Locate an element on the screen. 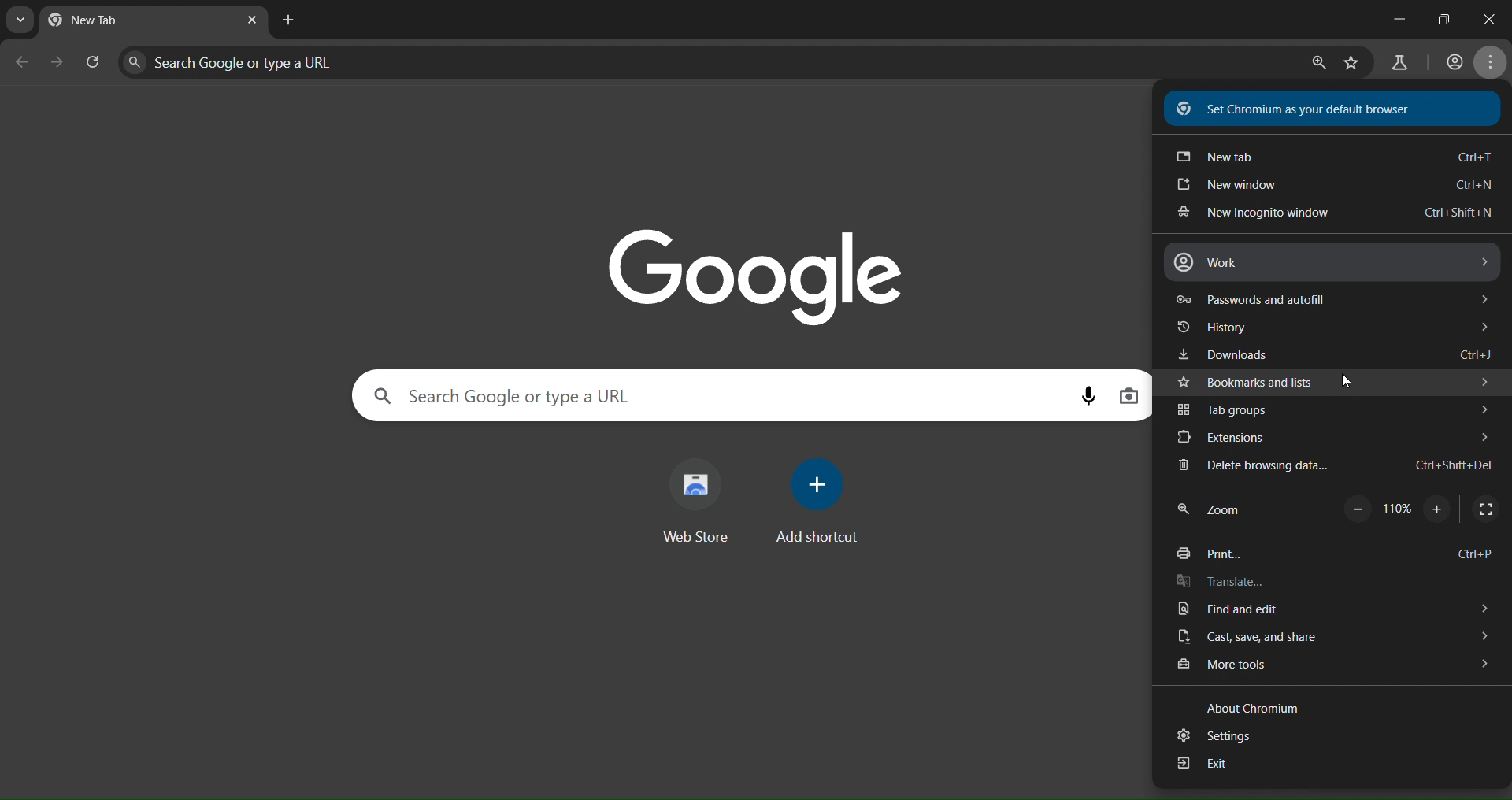 This screenshot has width=1512, height=800. about chromium is located at coordinates (1259, 706).